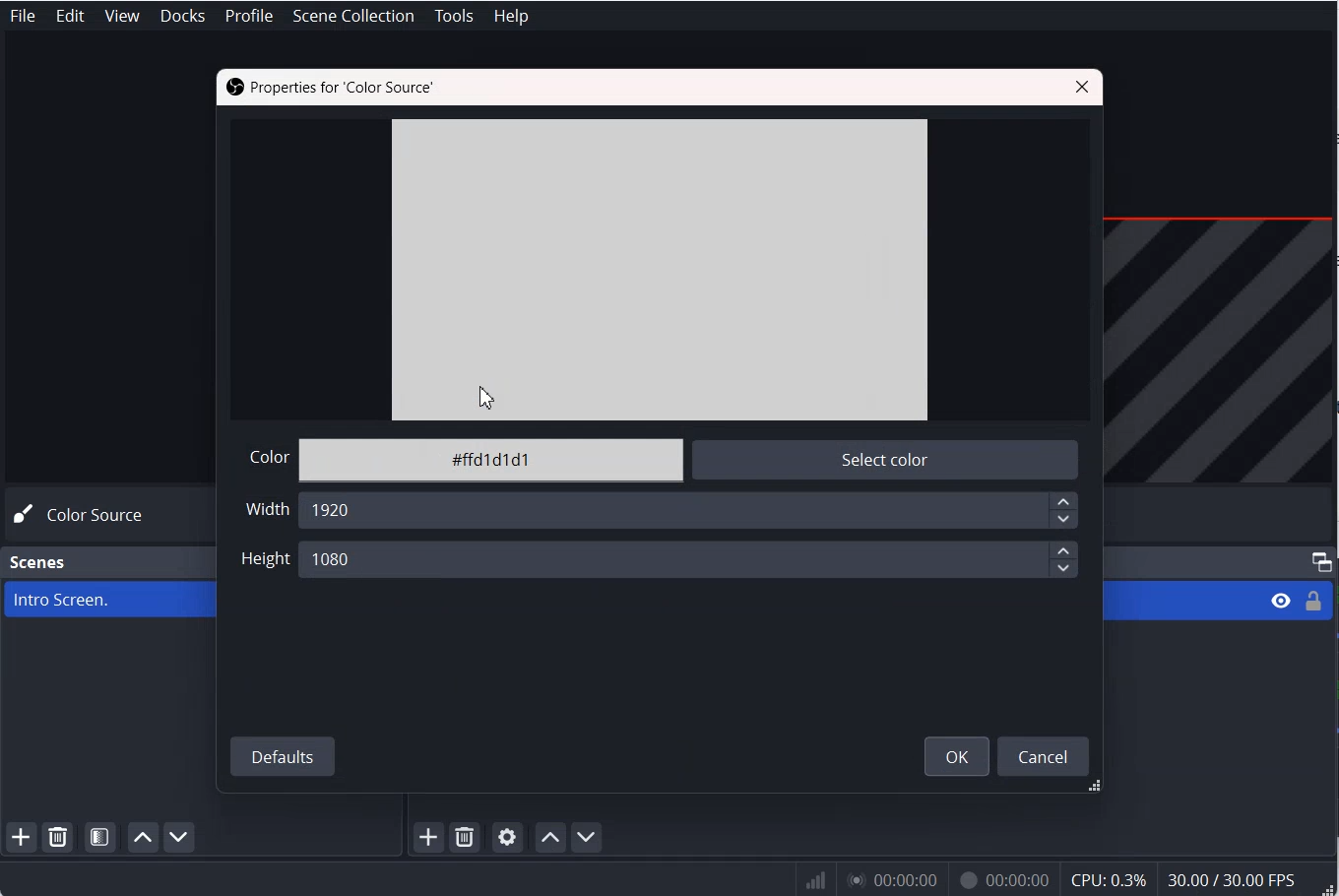 Image resolution: width=1339 pixels, height=896 pixels. Describe the element at coordinates (355, 15) in the screenshot. I see `Scene Collection` at that location.